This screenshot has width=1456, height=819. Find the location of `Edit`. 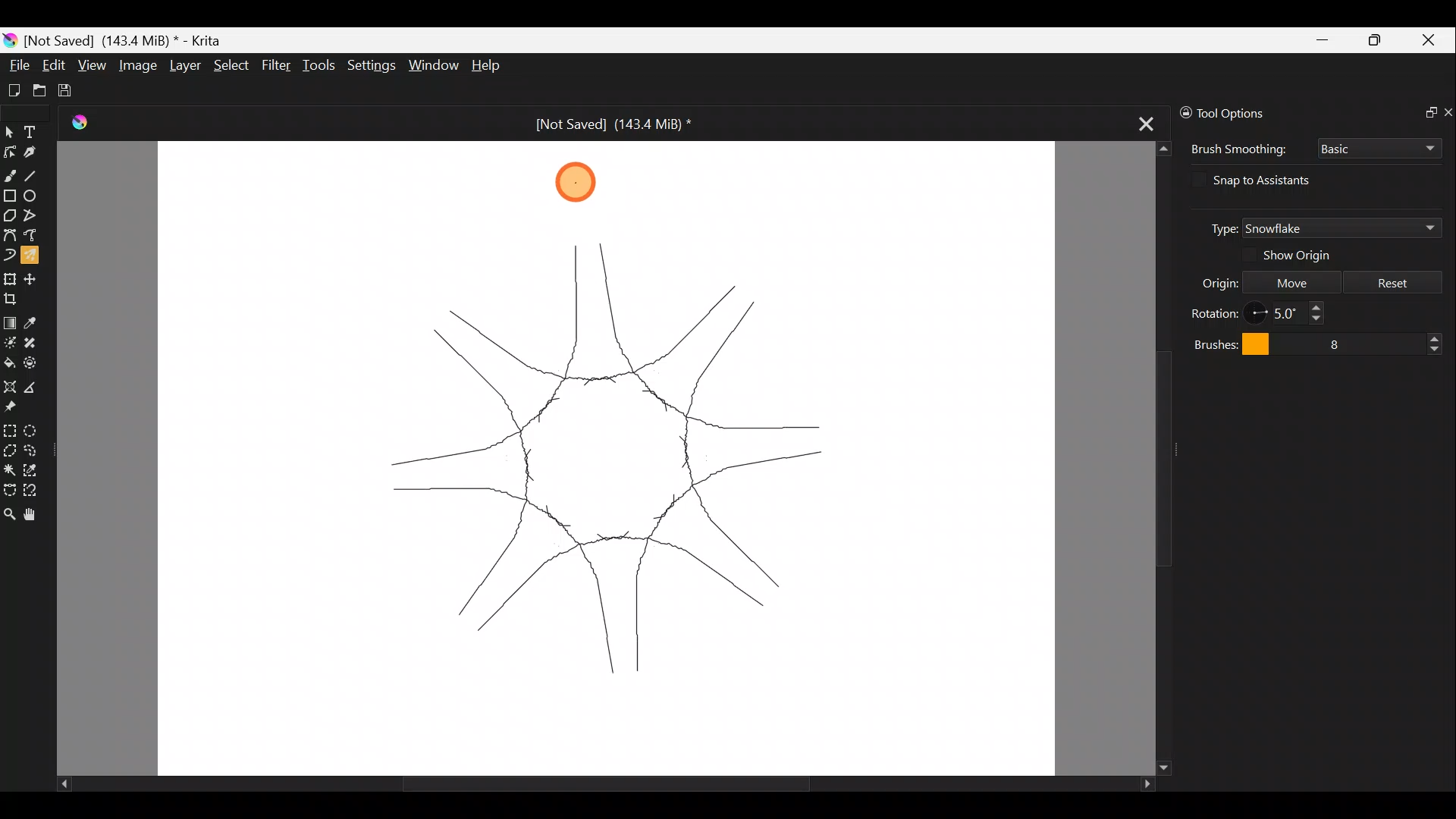

Edit is located at coordinates (54, 66).